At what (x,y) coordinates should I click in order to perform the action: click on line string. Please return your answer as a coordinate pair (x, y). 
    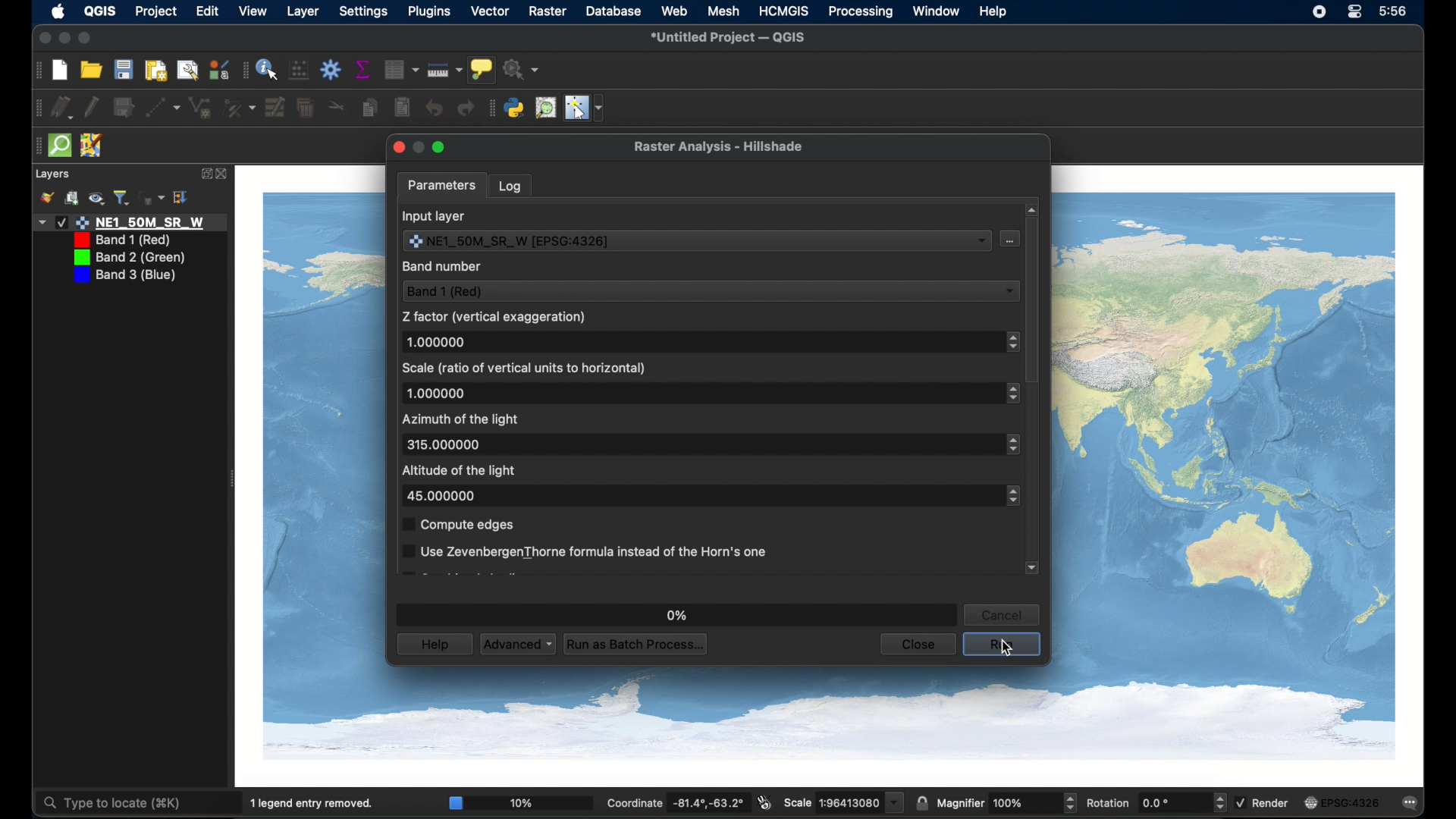
    Looking at the image, I should click on (200, 108).